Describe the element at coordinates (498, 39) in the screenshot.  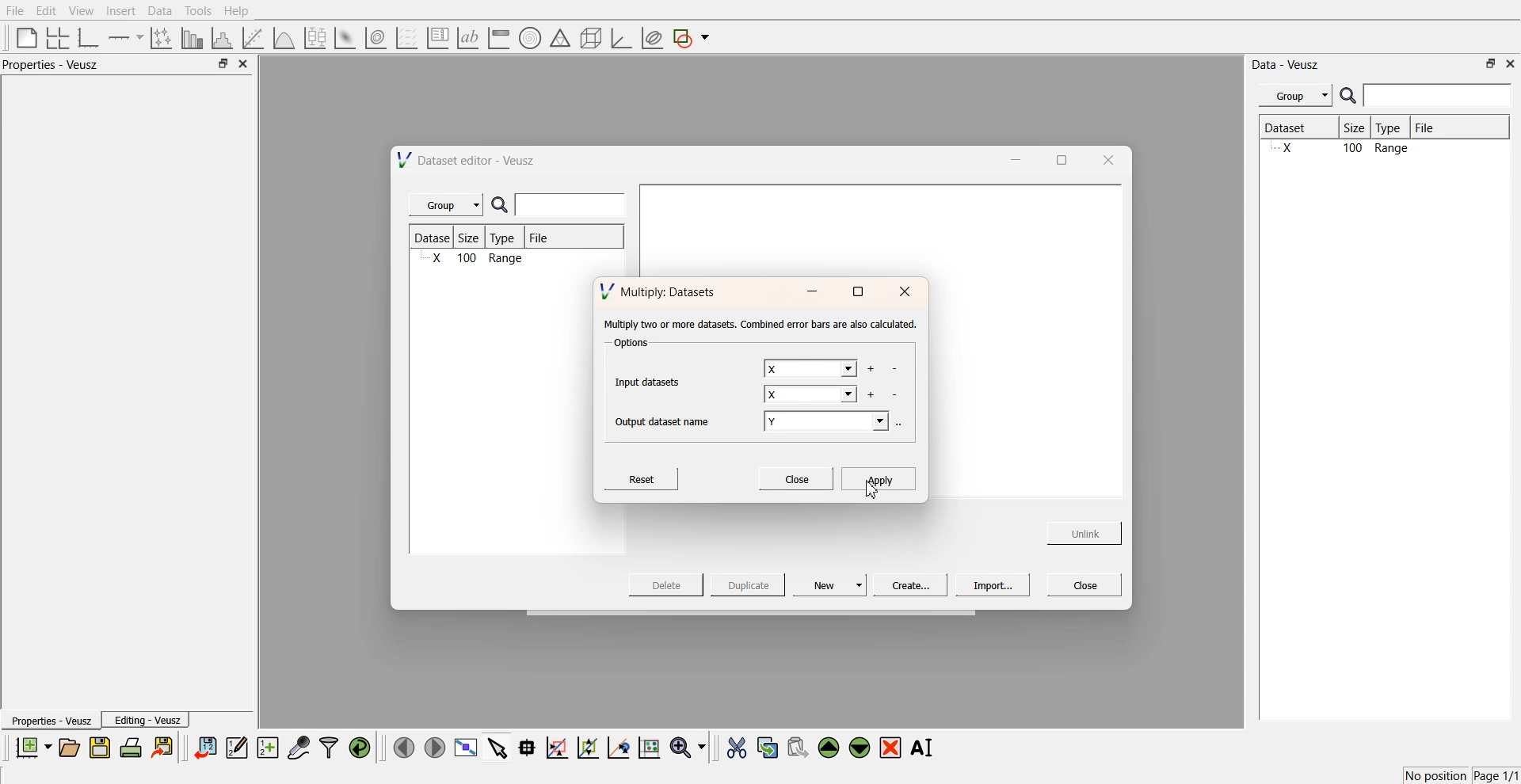
I see `image color bar` at that location.